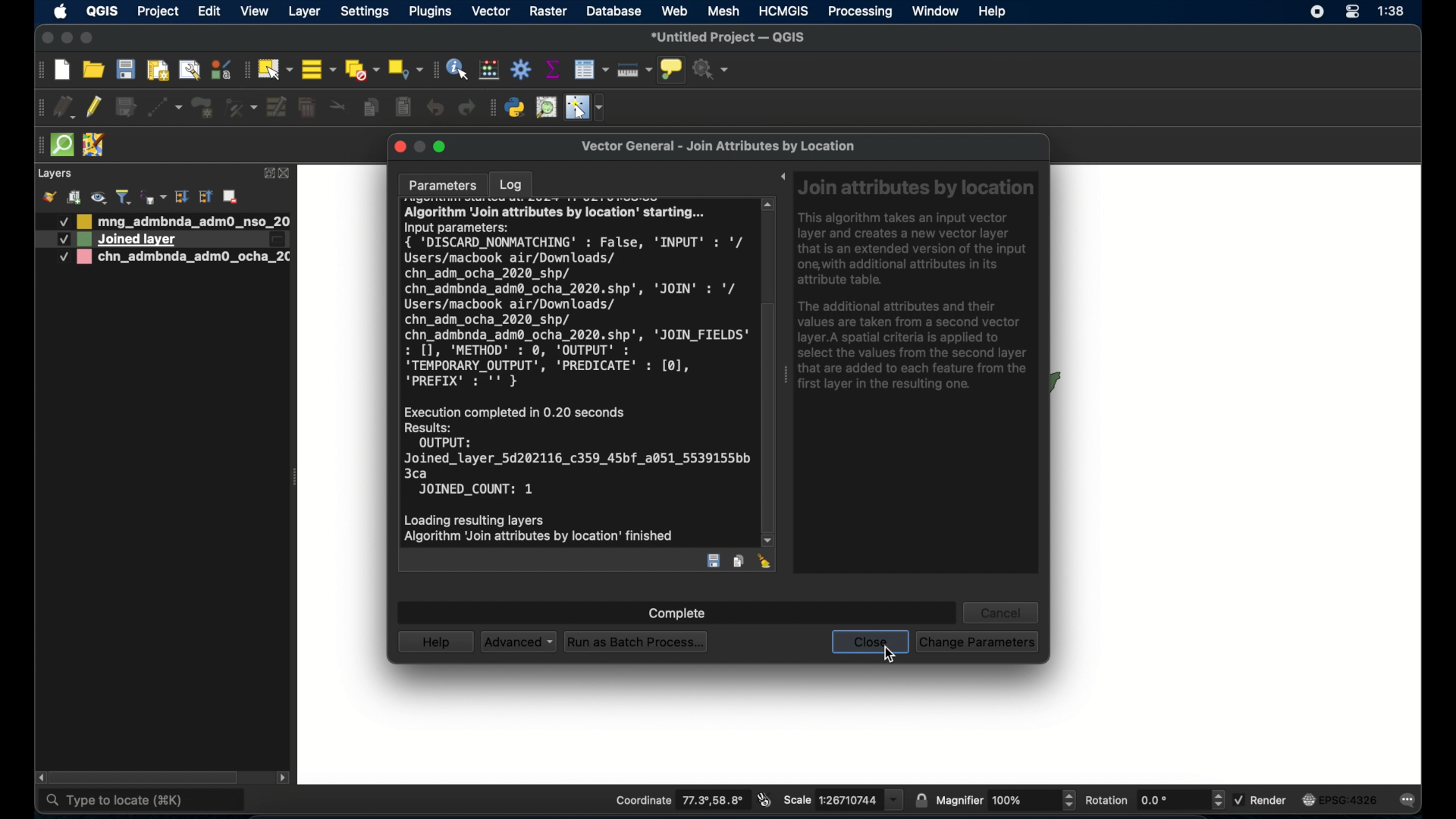 The width and height of the screenshot is (1456, 819). Describe the element at coordinates (934, 11) in the screenshot. I see `window` at that location.